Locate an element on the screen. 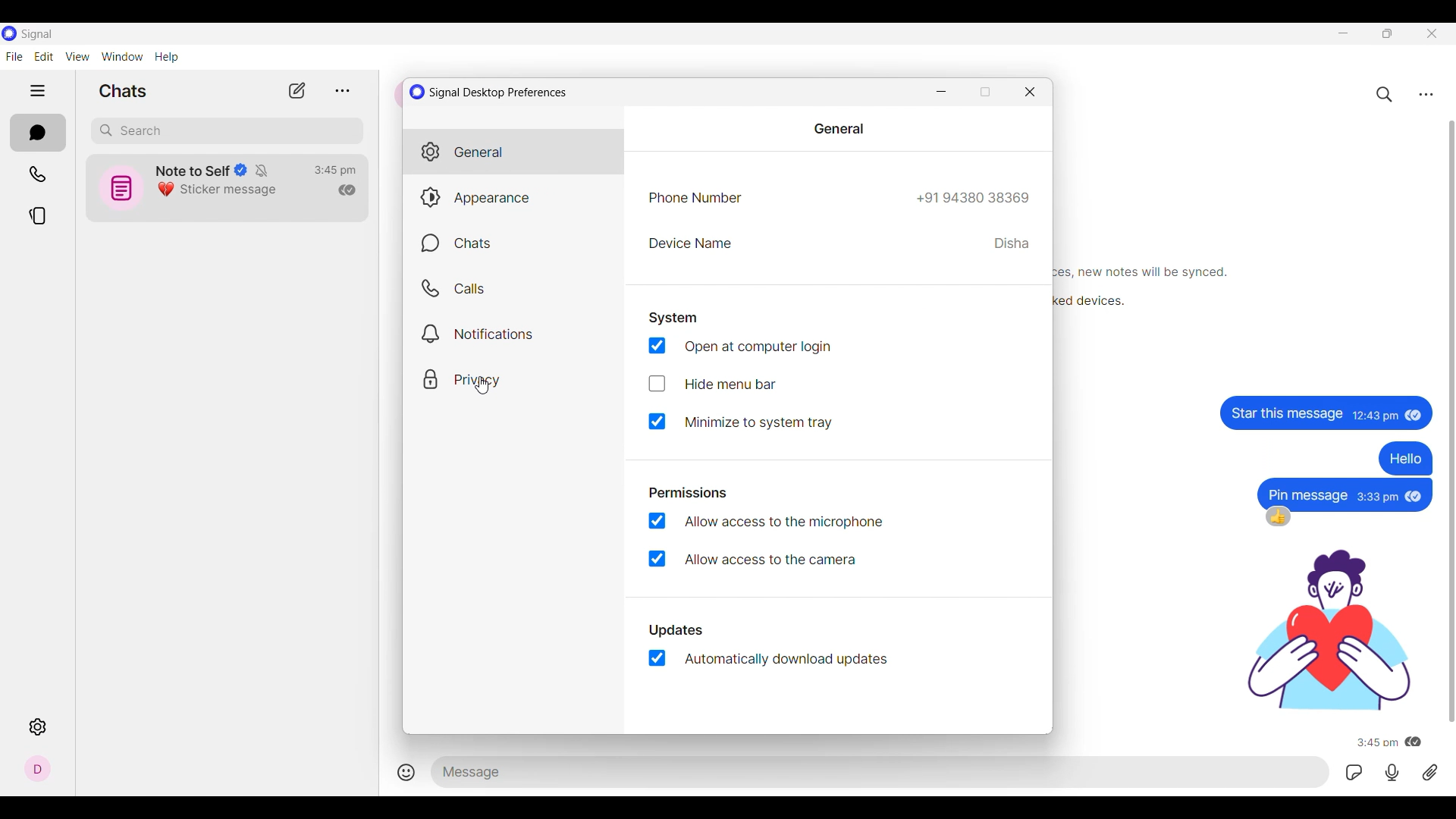  Toggle for allow access to the camera, current selection is located at coordinates (753, 560).